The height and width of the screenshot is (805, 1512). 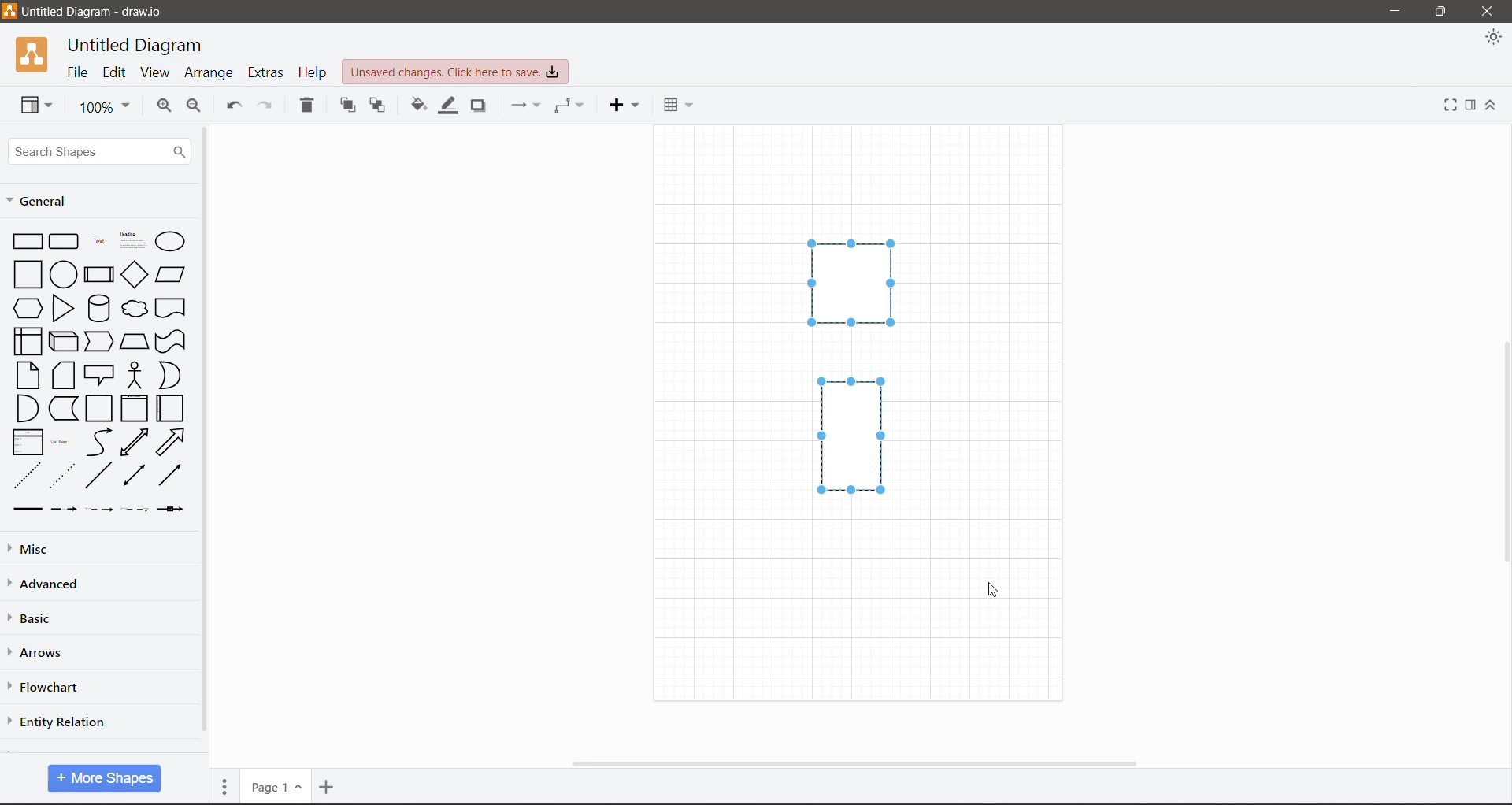 I want to click on Zoom In, so click(x=164, y=108).